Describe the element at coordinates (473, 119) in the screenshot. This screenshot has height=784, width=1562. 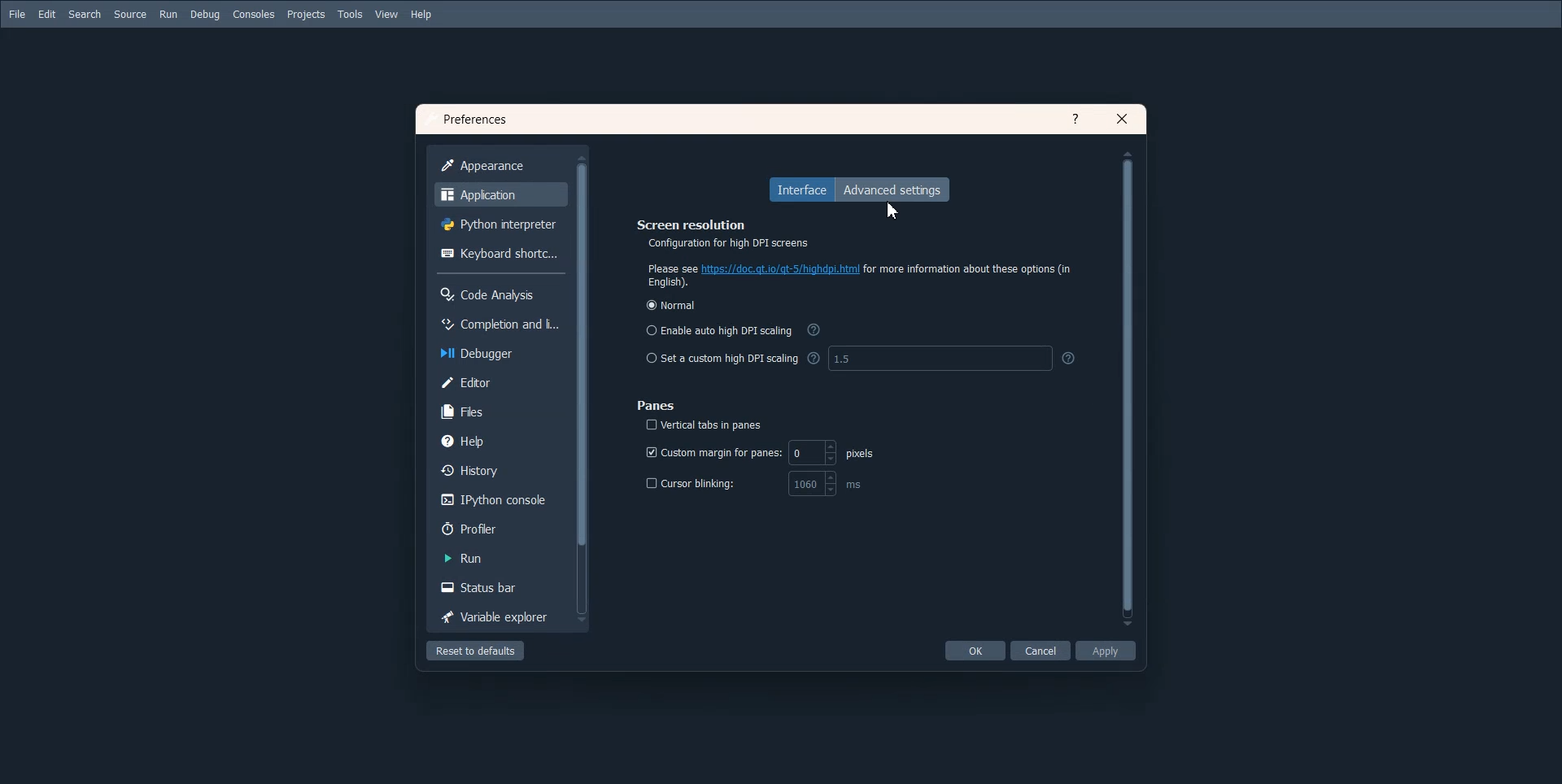
I see `Text` at that location.